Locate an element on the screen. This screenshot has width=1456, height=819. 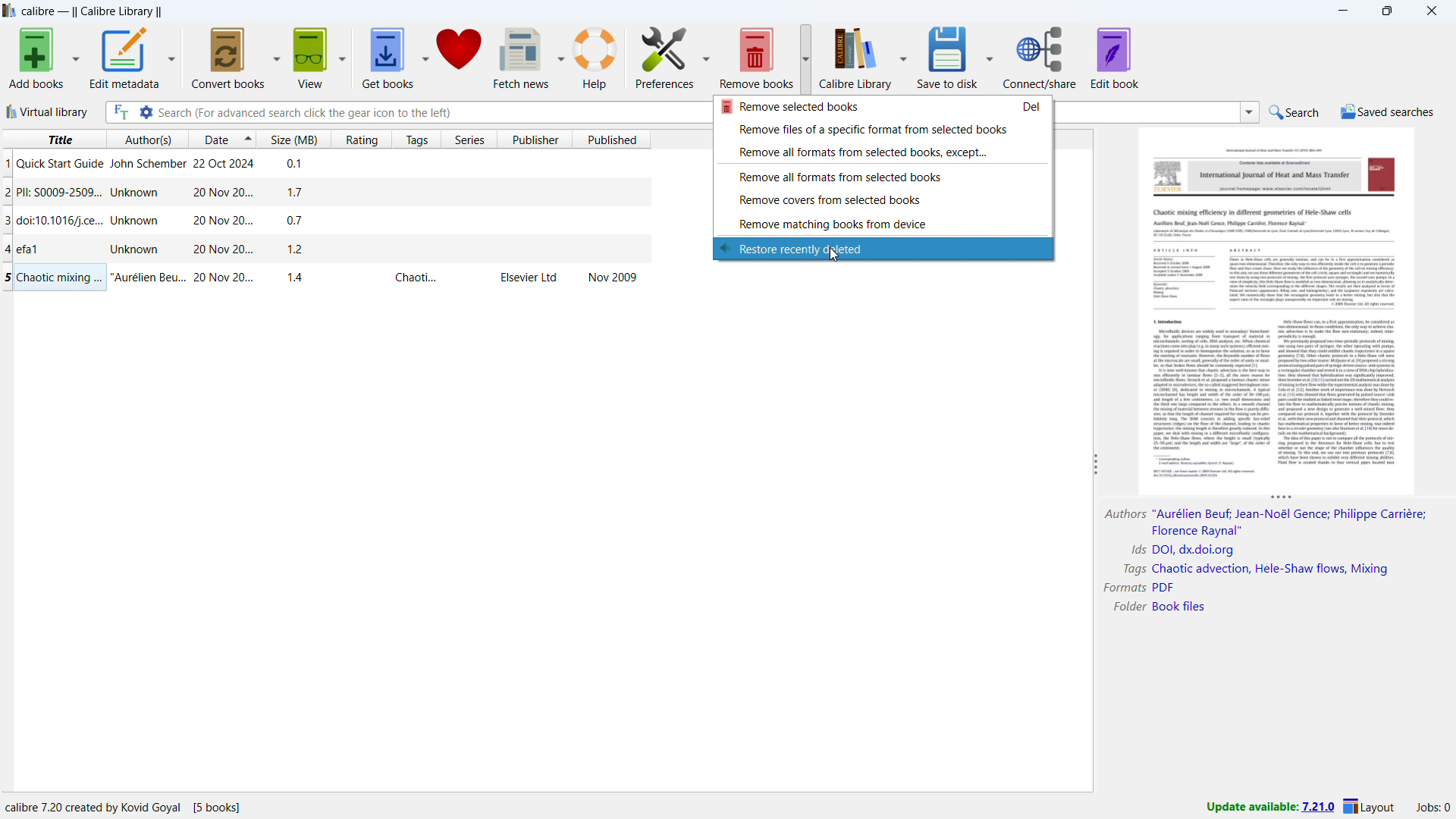
virtual library is located at coordinates (46, 111).